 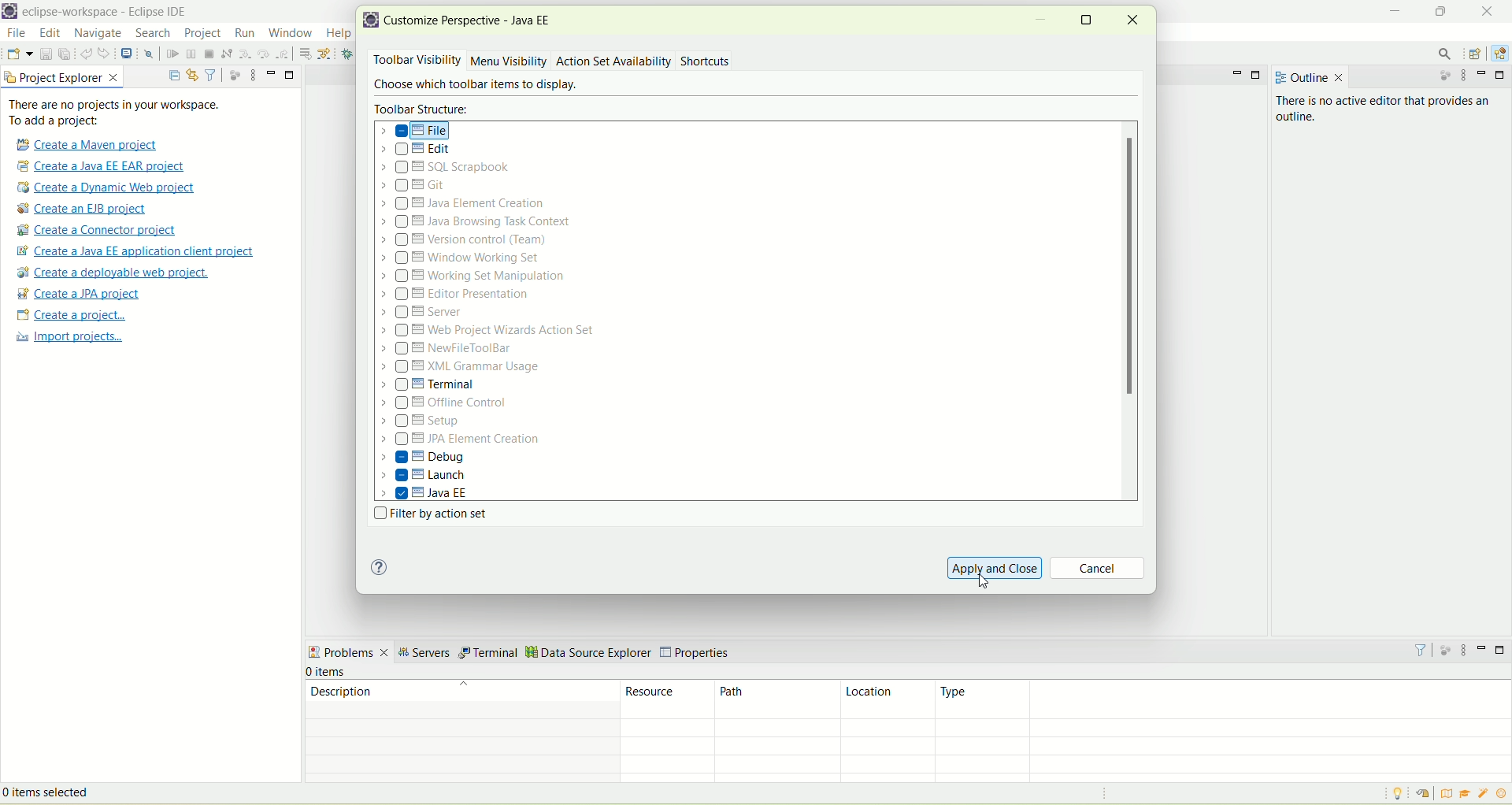 What do you see at coordinates (469, 239) in the screenshot?
I see `version control` at bounding box center [469, 239].